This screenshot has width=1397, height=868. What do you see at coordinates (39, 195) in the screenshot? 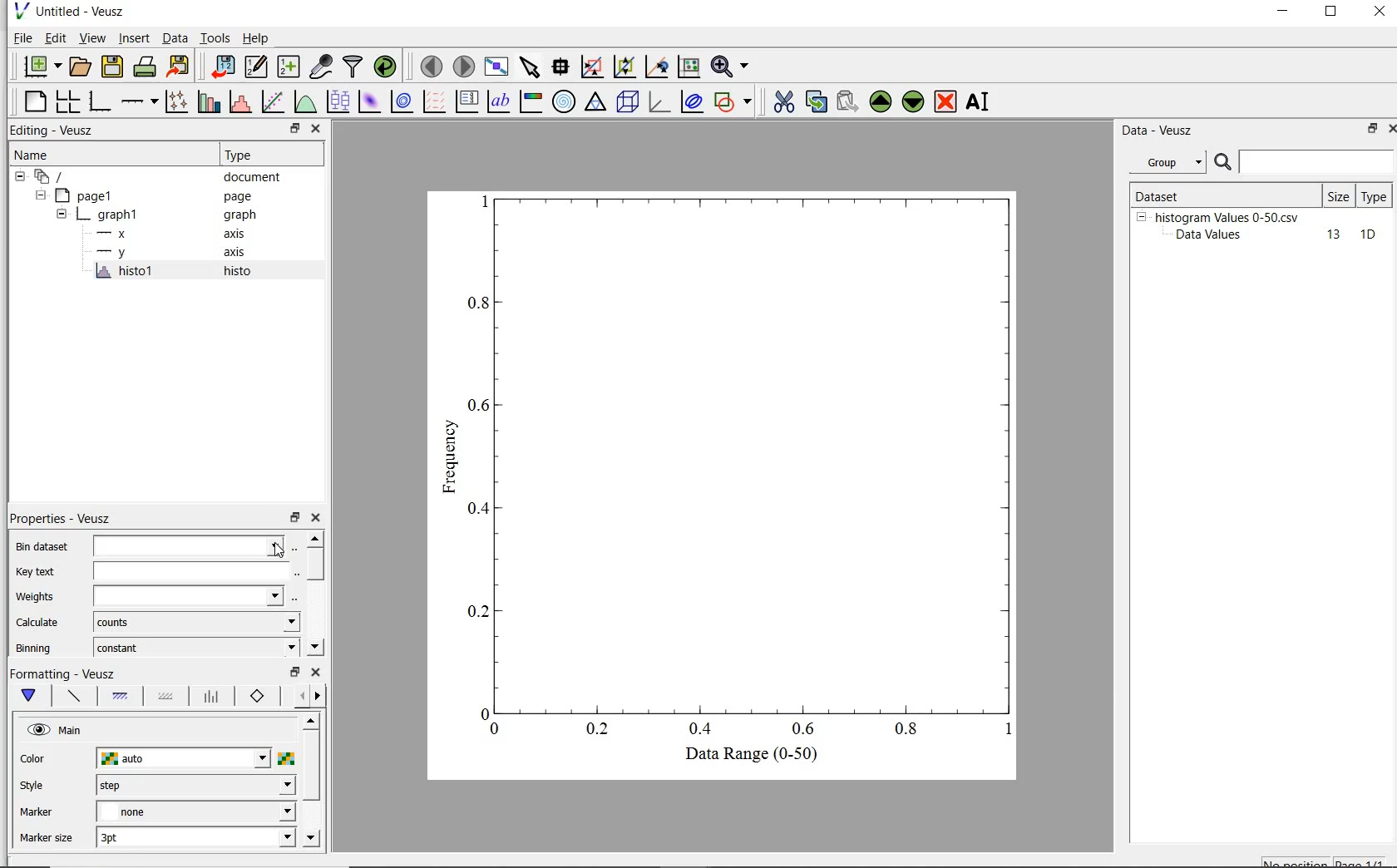
I see `hide` at bounding box center [39, 195].